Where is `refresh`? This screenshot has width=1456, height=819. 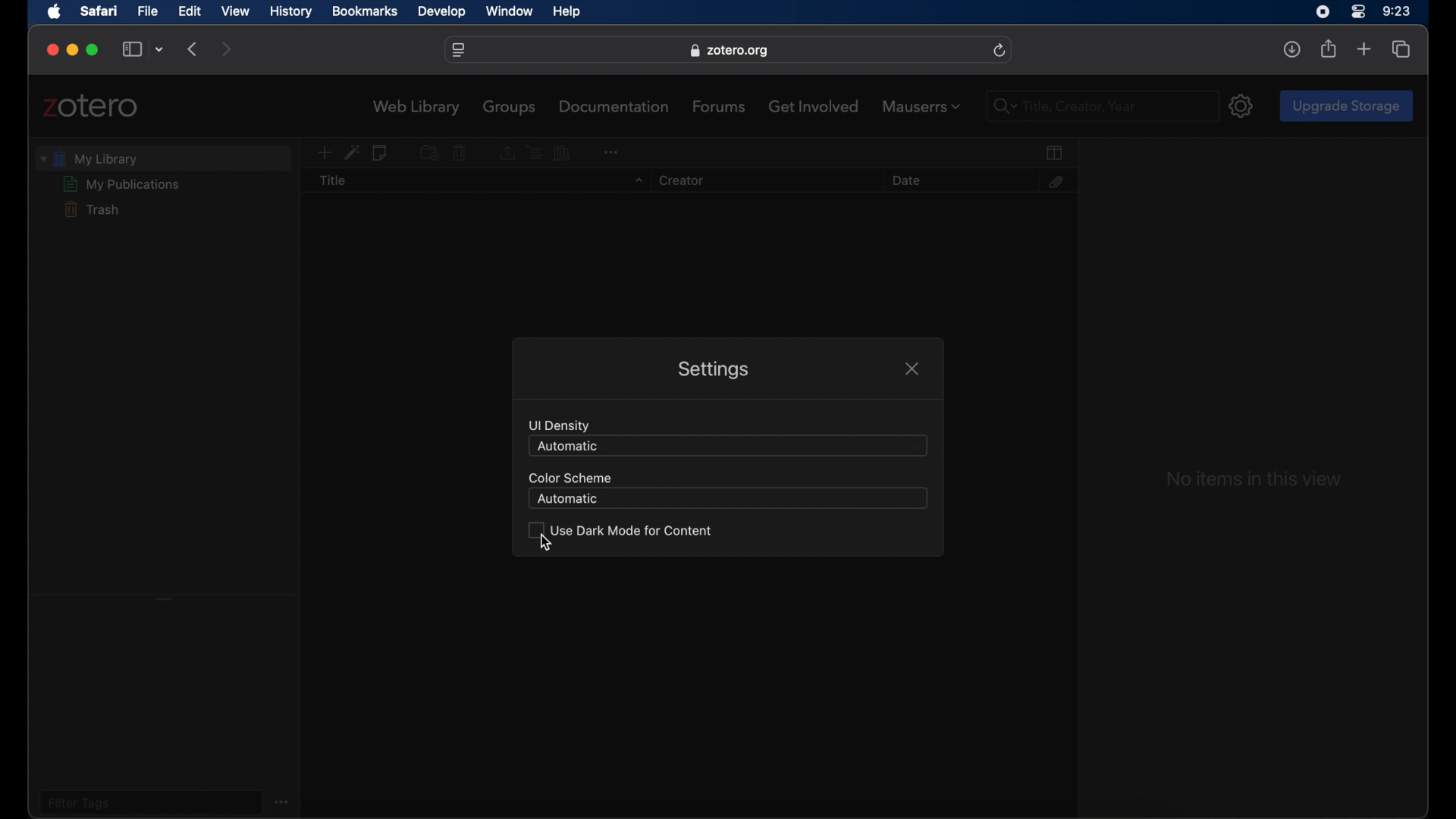 refresh is located at coordinates (1000, 51).